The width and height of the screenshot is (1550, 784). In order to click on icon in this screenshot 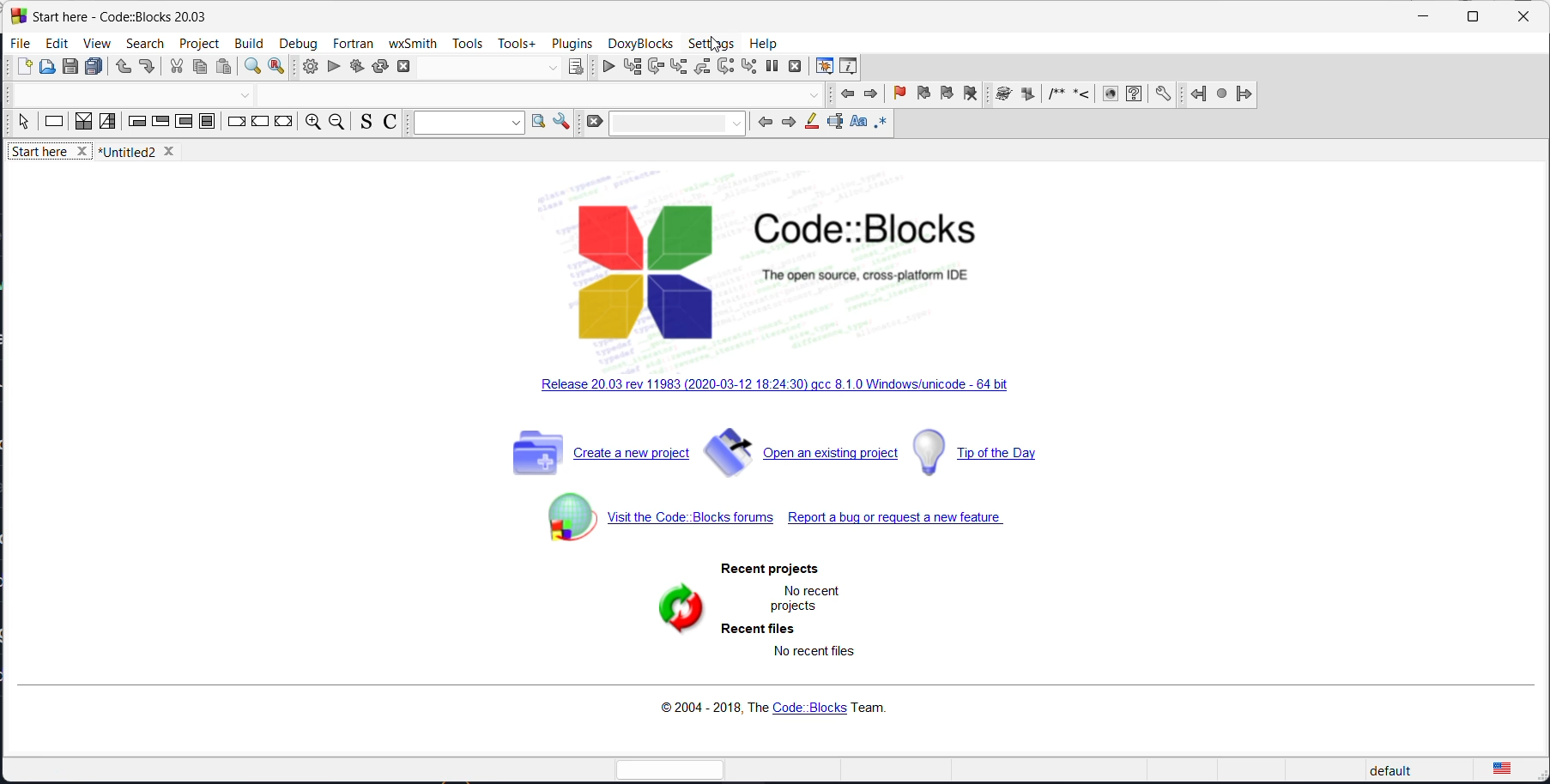, I will do `click(1081, 96)`.